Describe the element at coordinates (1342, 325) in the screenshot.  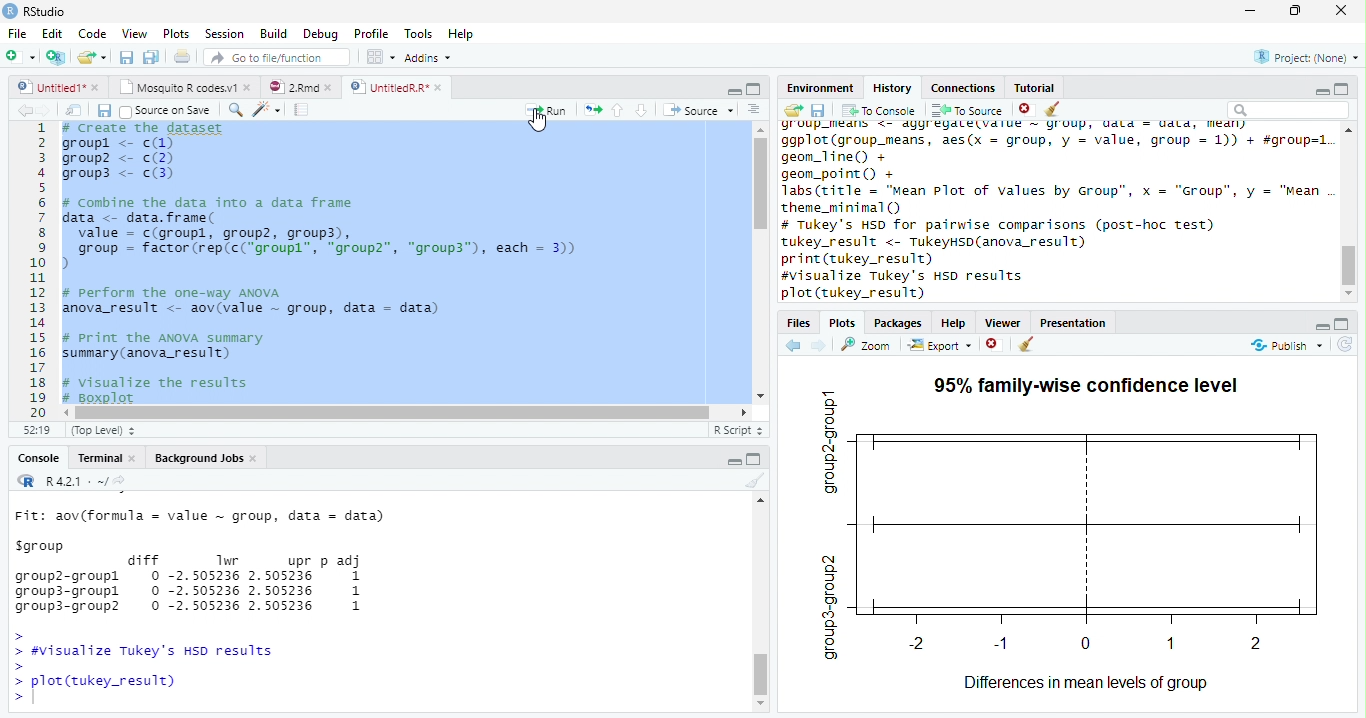
I see `Maximize` at that location.